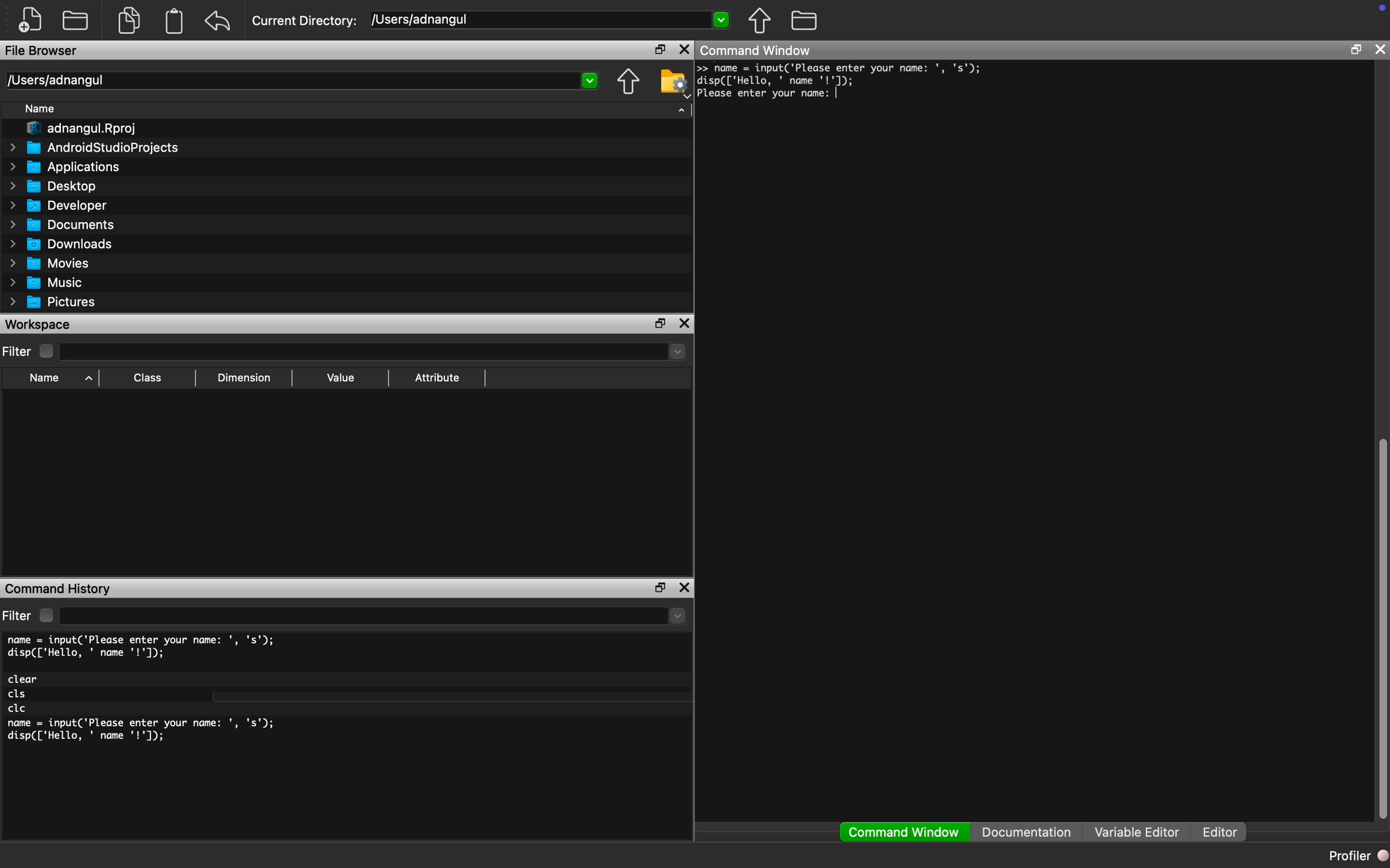 The height and width of the screenshot is (868, 1390). What do you see at coordinates (30, 615) in the screenshot?
I see `Filter` at bounding box center [30, 615].